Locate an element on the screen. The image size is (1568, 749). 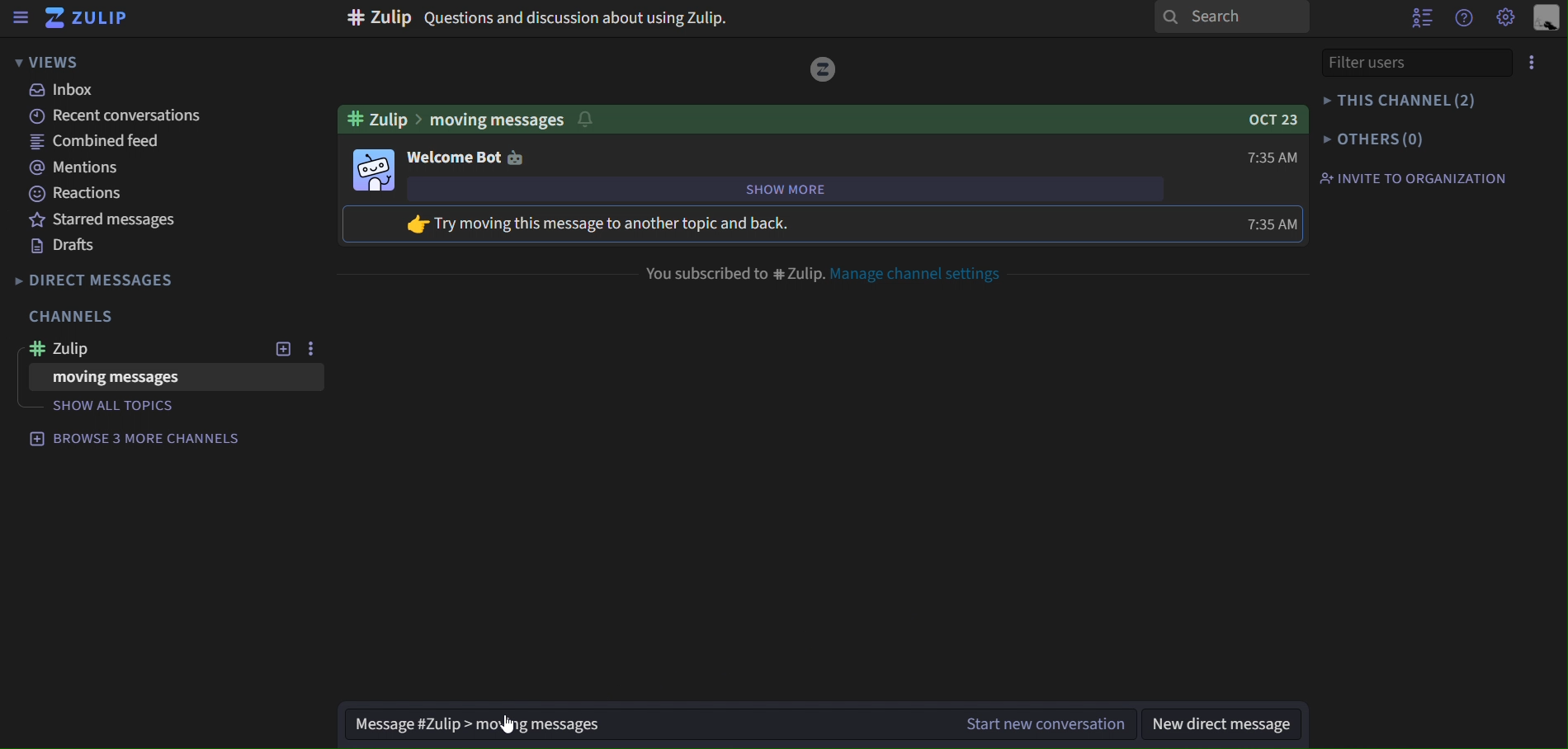
 is located at coordinates (824, 68).